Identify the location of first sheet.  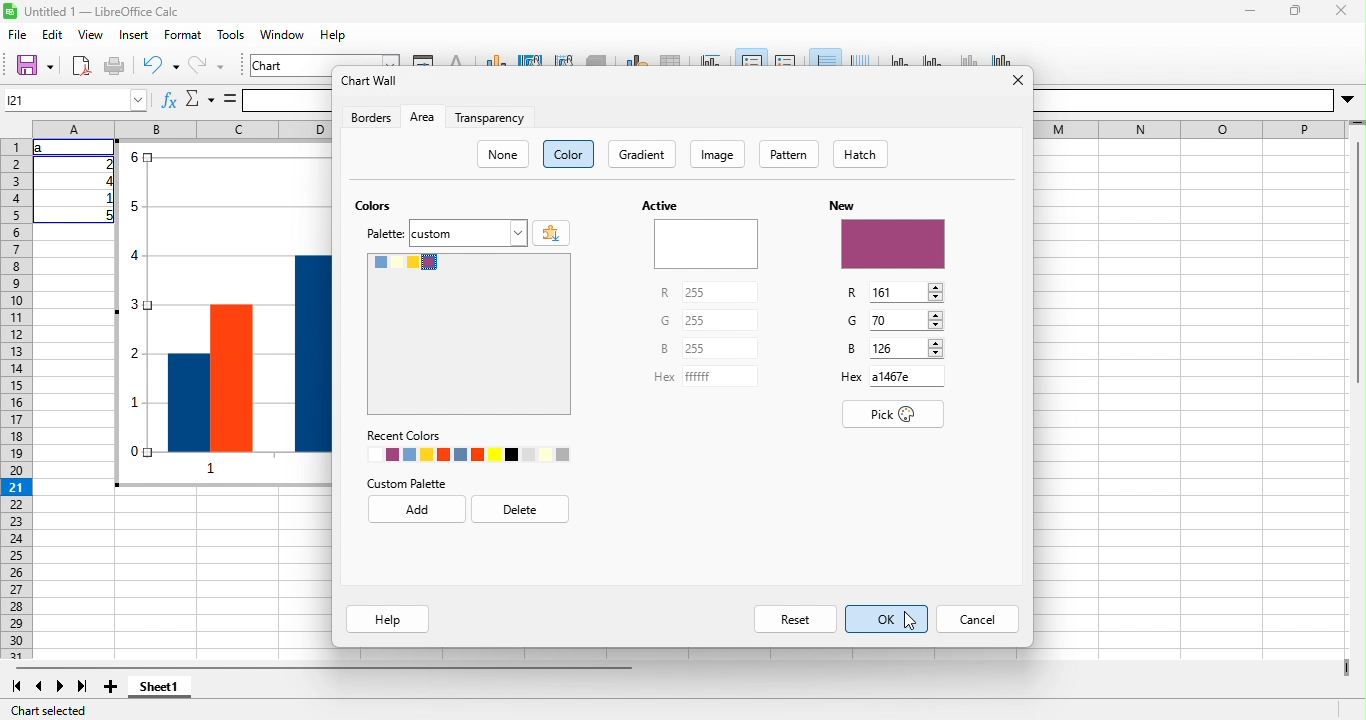
(17, 686).